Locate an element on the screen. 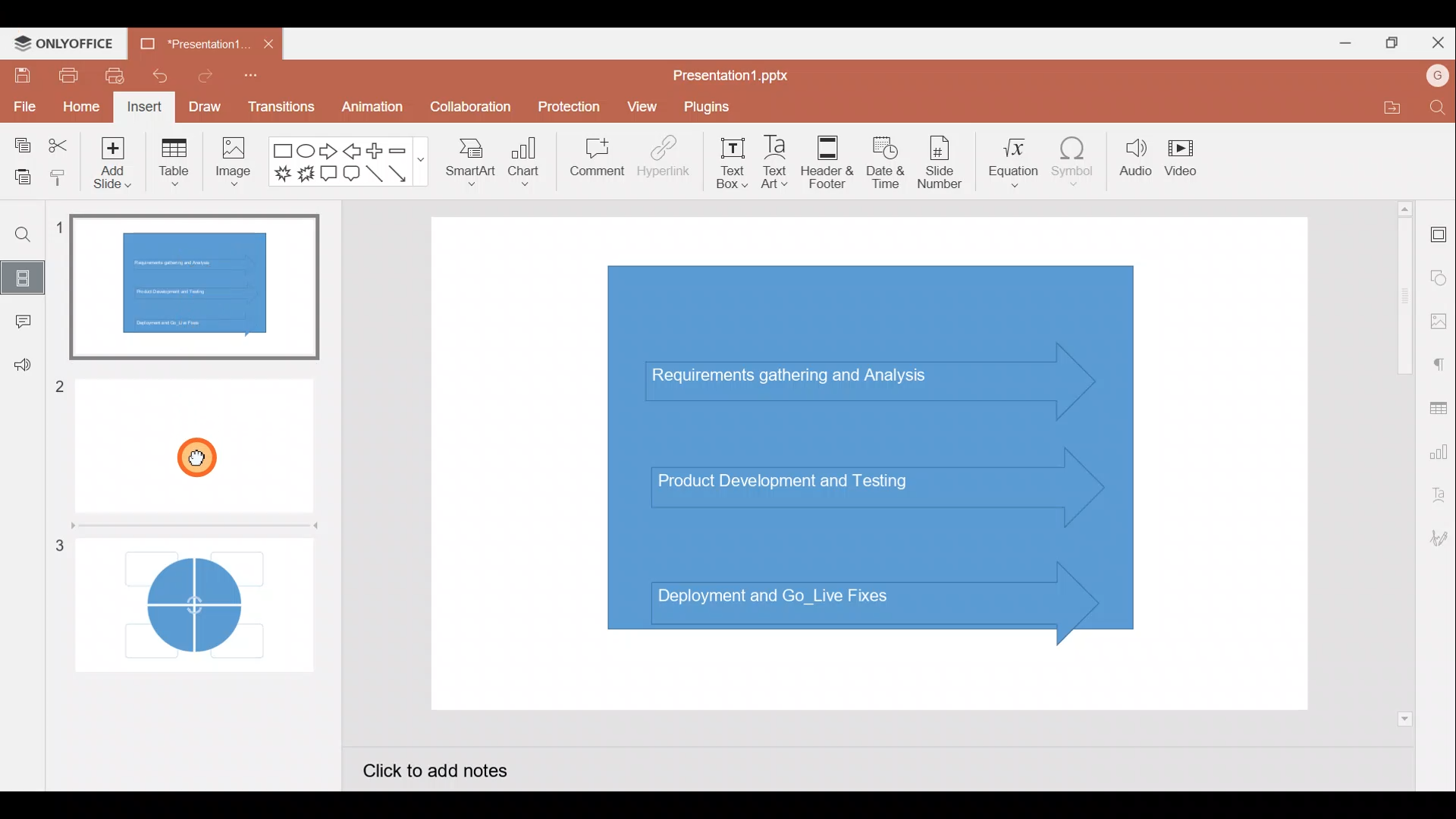  Redo is located at coordinates (201, 80).